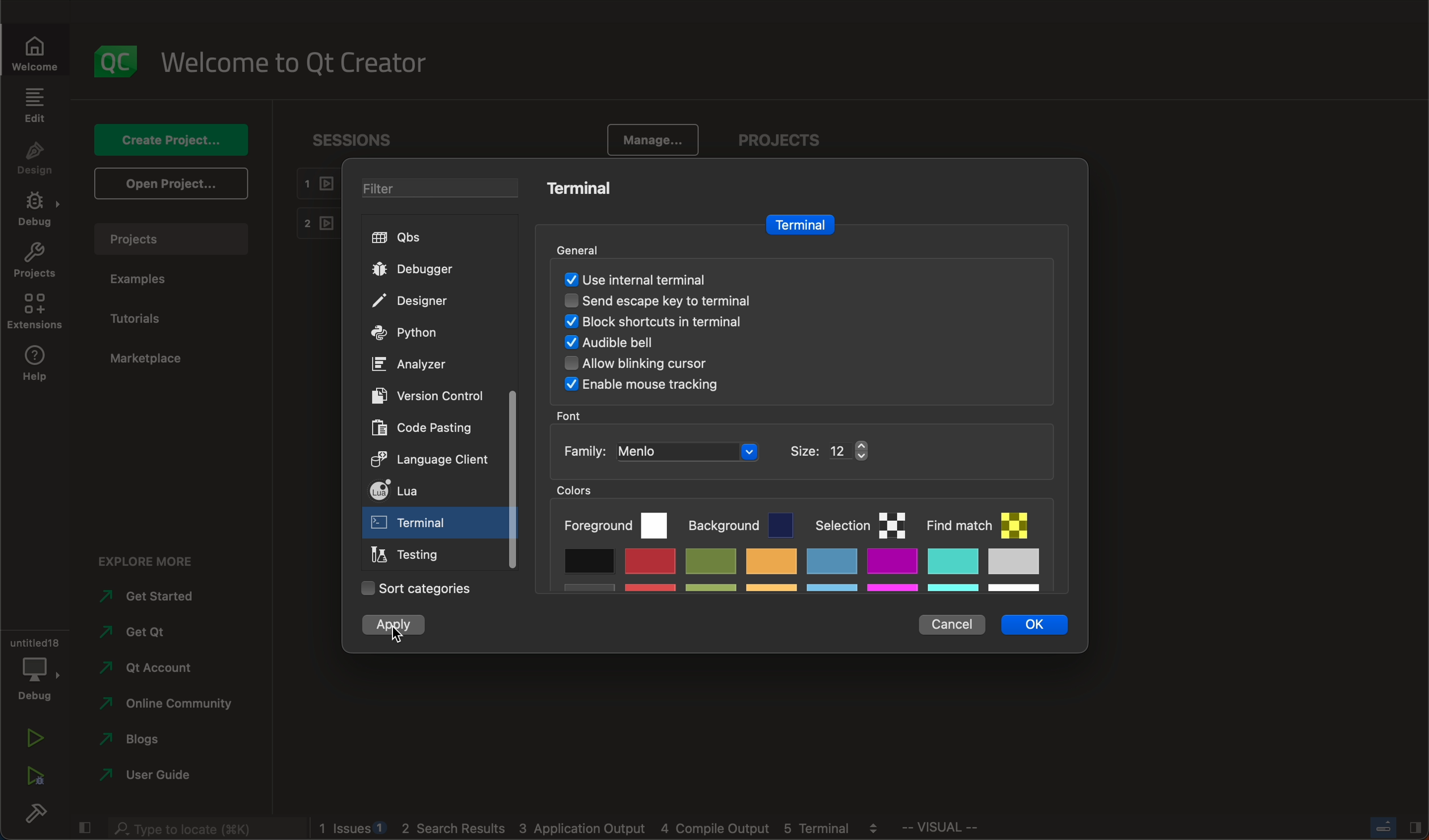 This screenshot has height=840, width=1429. What do you see at coordinates (149, 317) in the screenshot?
I see `tutorials` at bounding box center [149, 317].